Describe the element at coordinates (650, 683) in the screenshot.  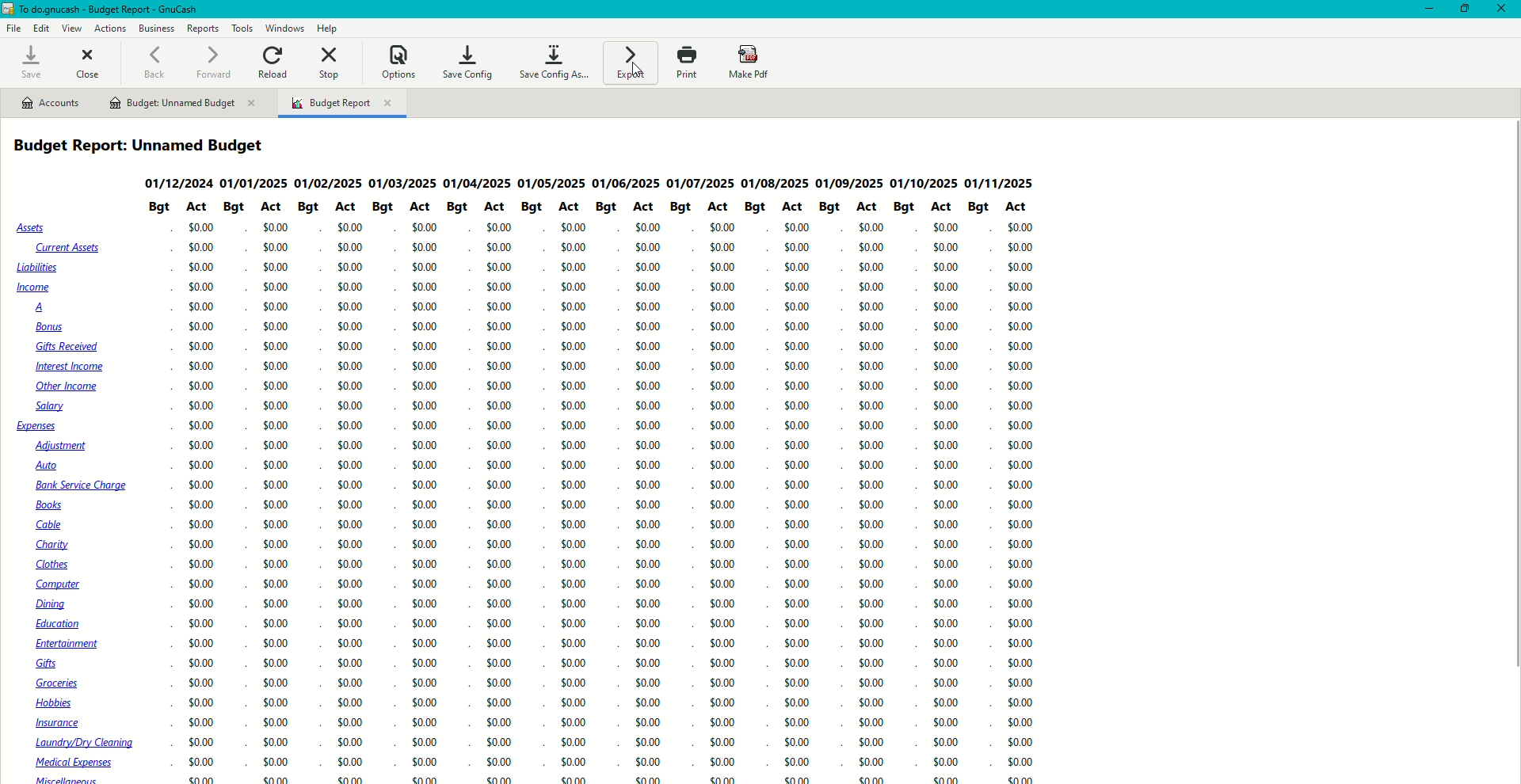
I see `$0.00` at that location.